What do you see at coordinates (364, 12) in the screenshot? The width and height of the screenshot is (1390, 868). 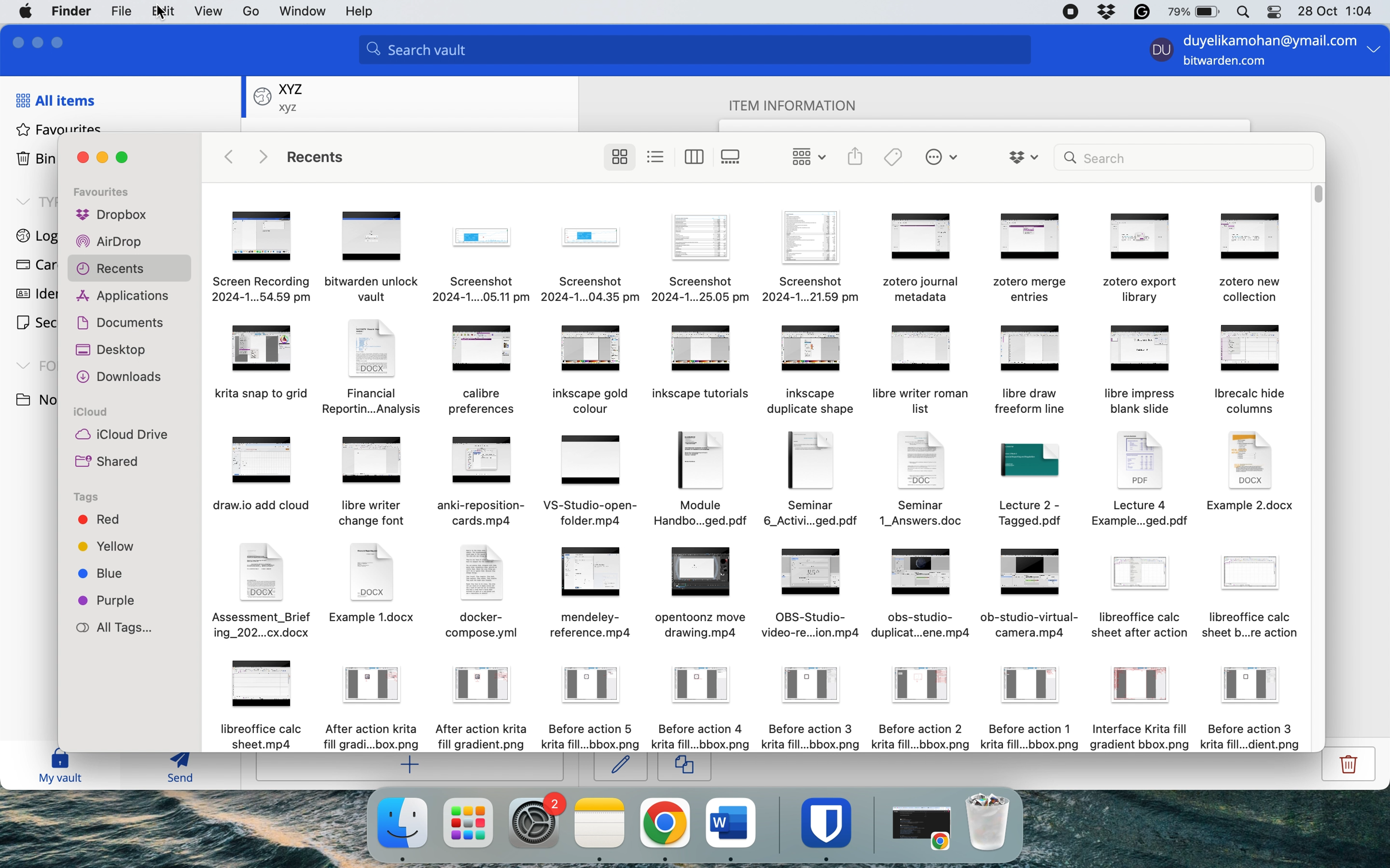 I see `help` at bounding box center [364, 12].